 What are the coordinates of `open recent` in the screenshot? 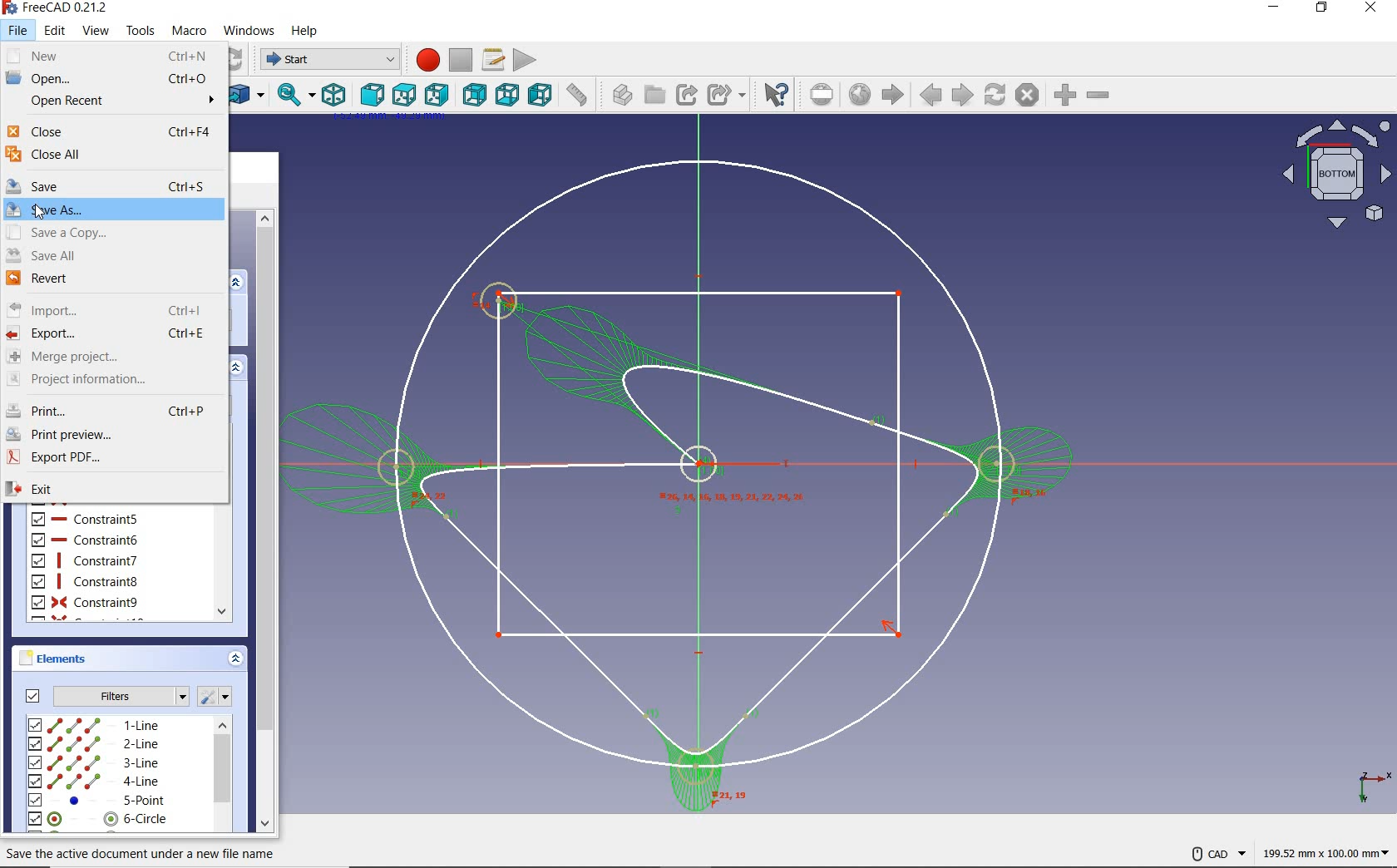 It's located at (110, 102).